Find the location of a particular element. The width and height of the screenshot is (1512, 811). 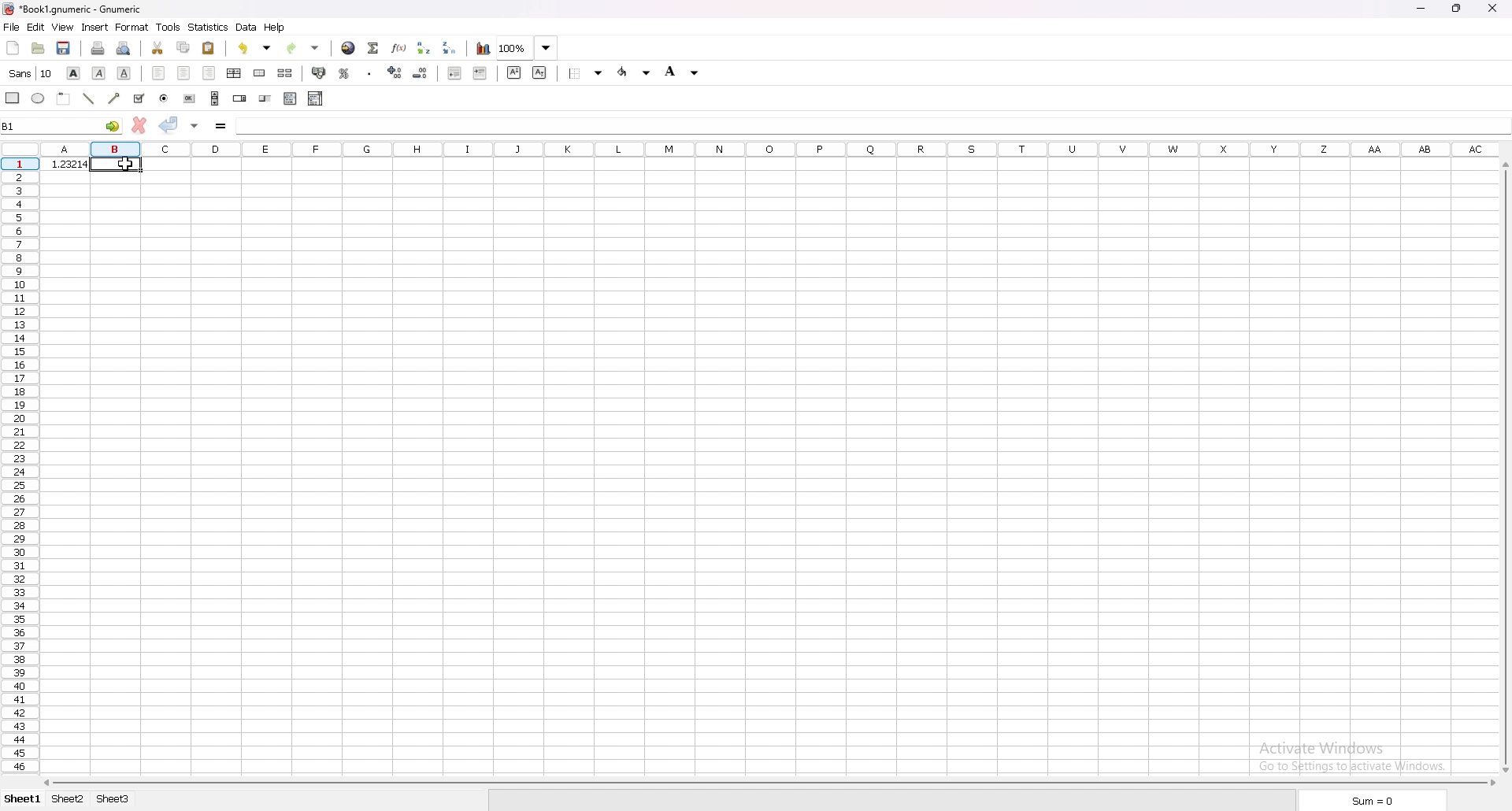

line is located at coordinates (88, 98).